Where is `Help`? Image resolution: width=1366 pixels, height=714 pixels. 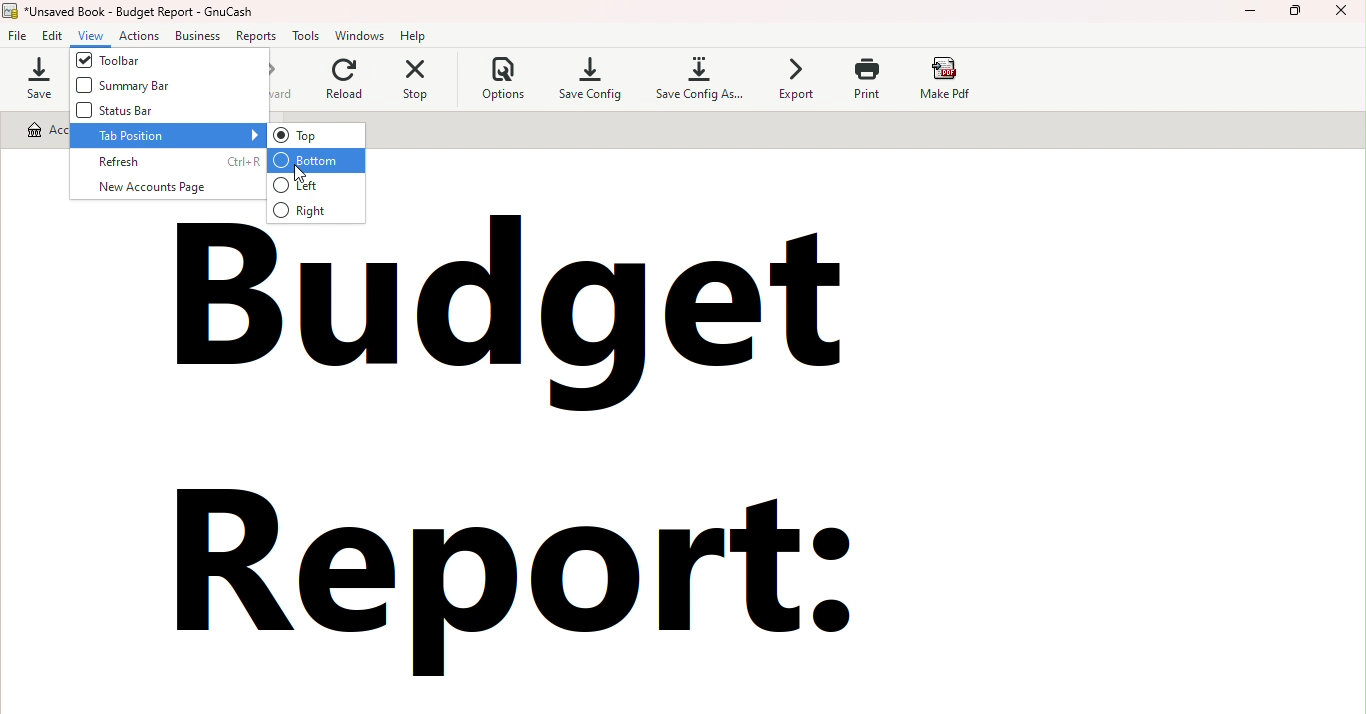 Help is located at coordinates (417, 35).